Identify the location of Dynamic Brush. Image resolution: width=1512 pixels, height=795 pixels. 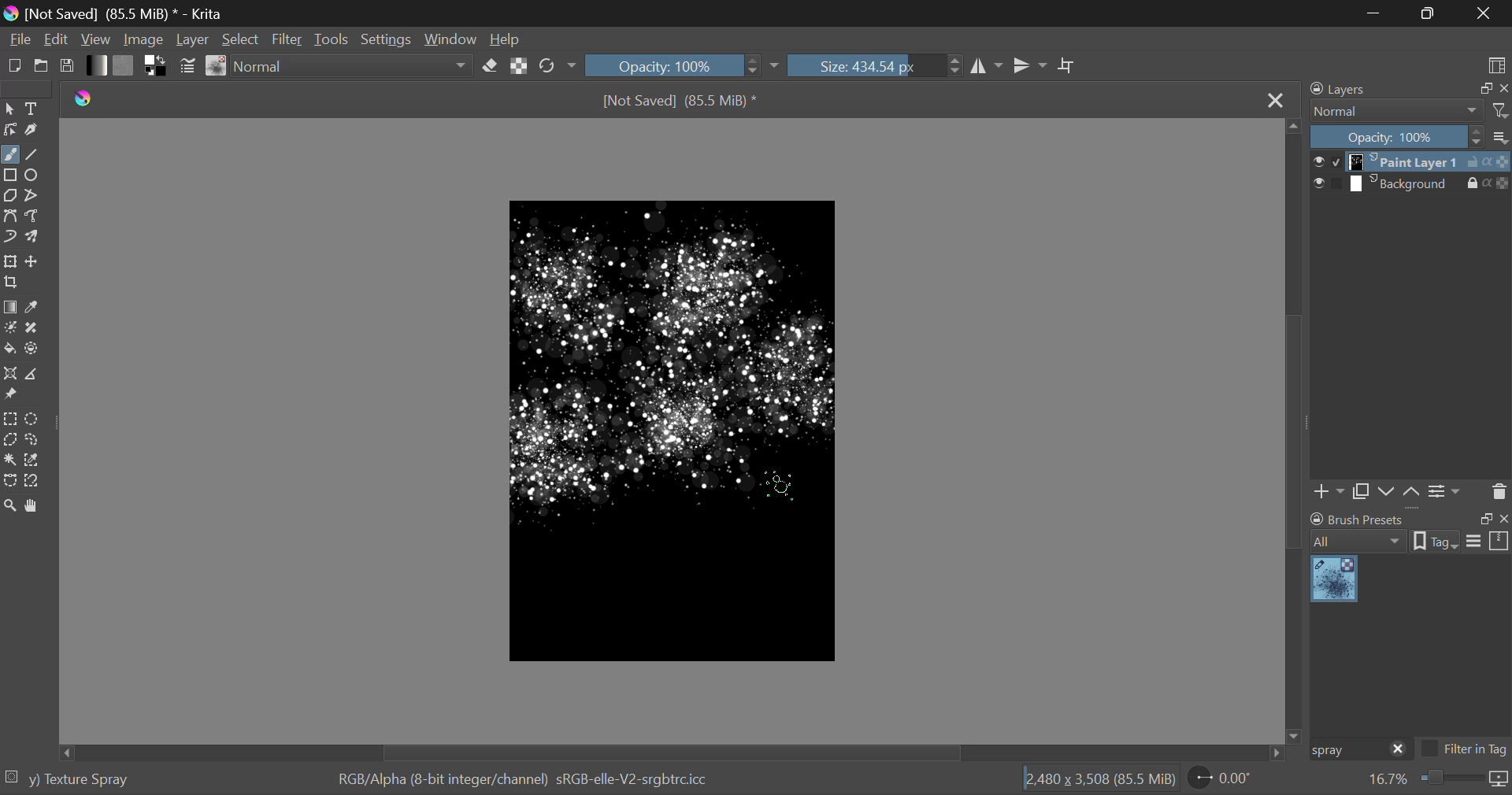
(9, 235).